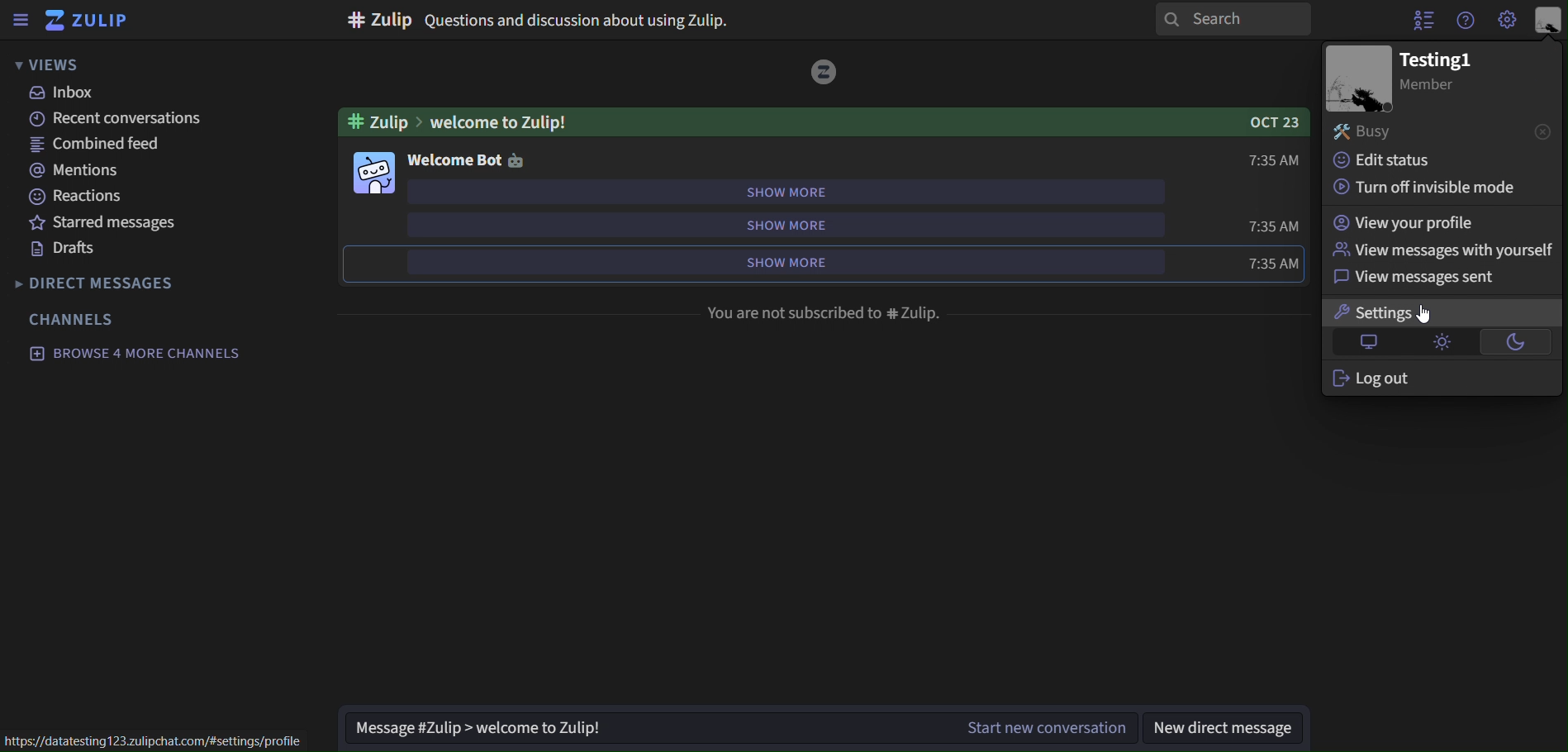 The image size is (1568, 752). I want to click on image, so click(1357, 79).